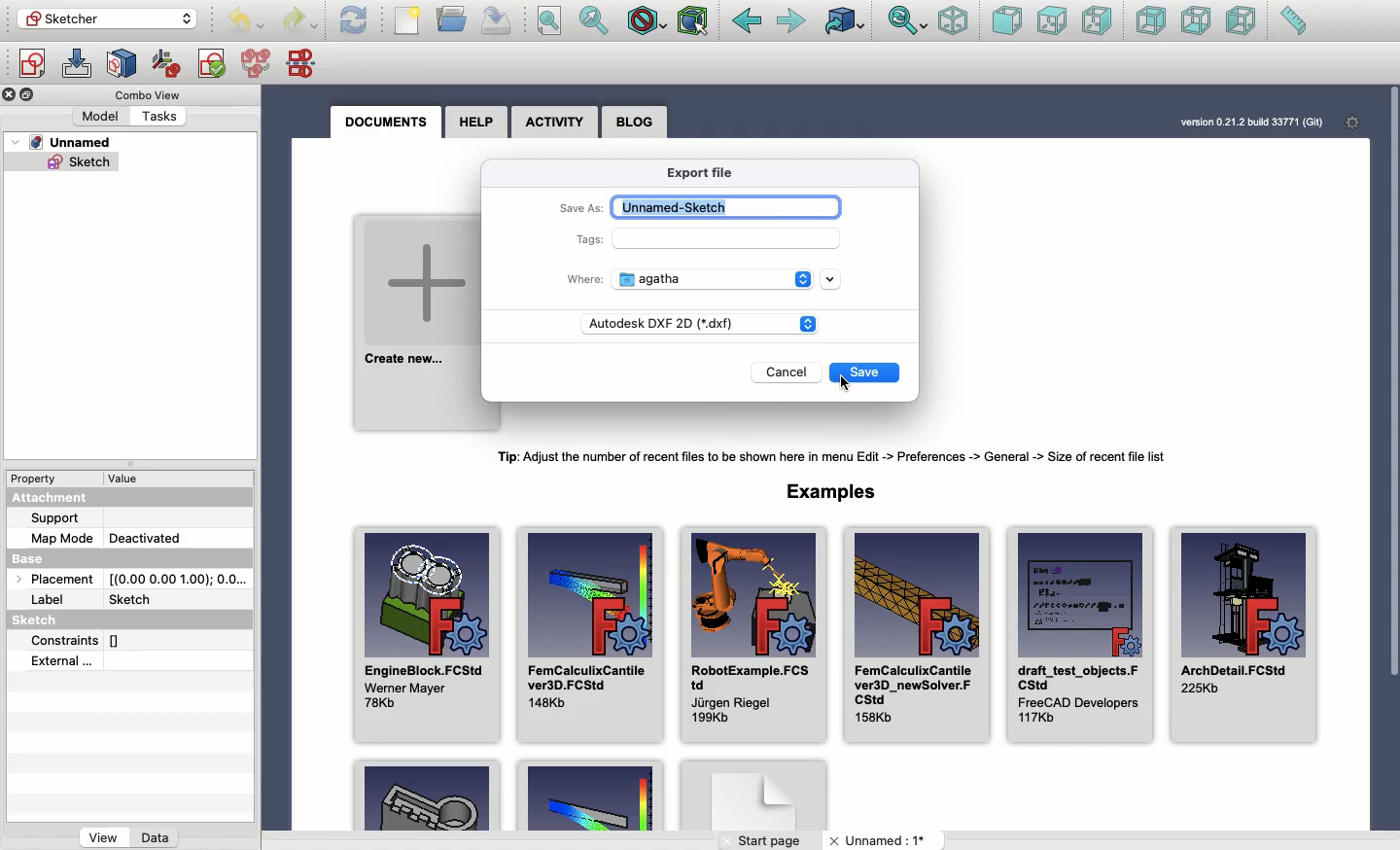 This screenshot has width=1400, height=850. I want to click on Autodesk DXF 2D, so click(703, 324).